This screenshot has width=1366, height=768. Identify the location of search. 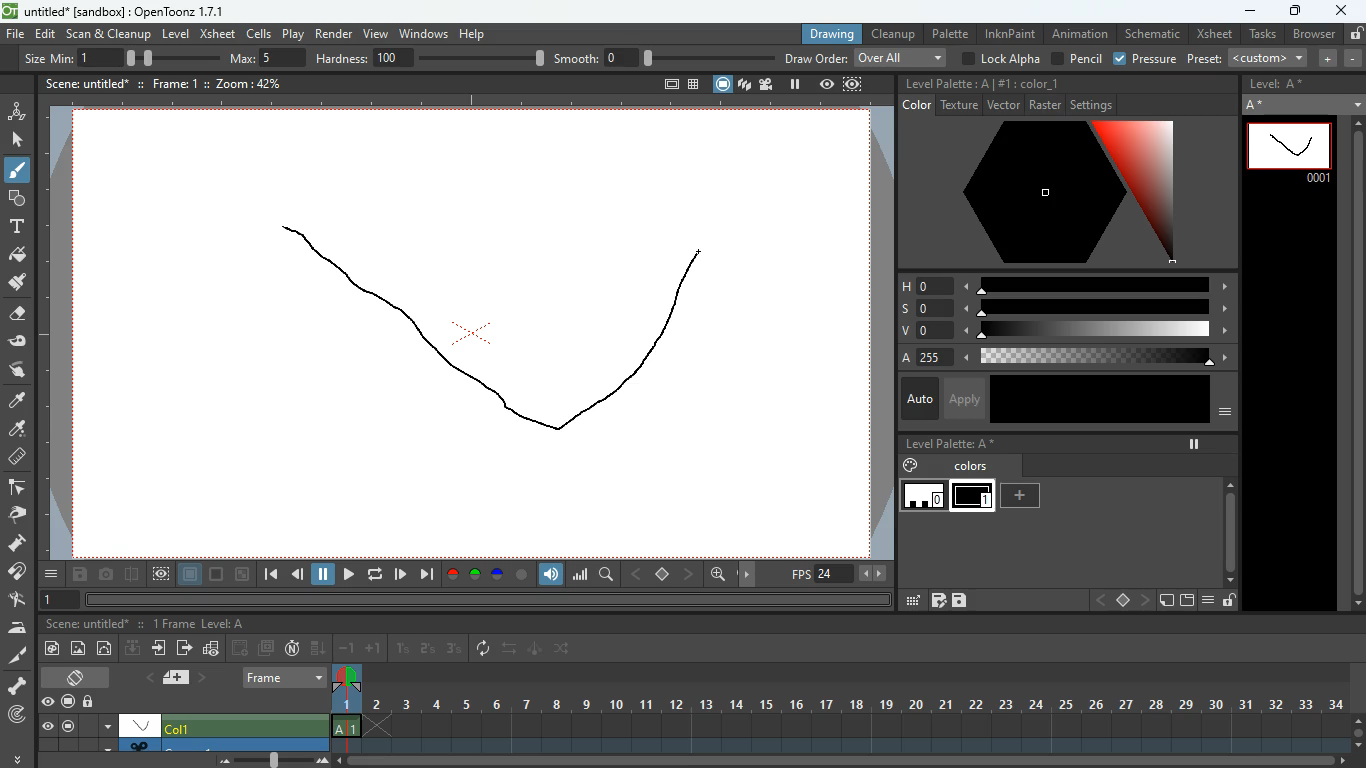
(608, 577).